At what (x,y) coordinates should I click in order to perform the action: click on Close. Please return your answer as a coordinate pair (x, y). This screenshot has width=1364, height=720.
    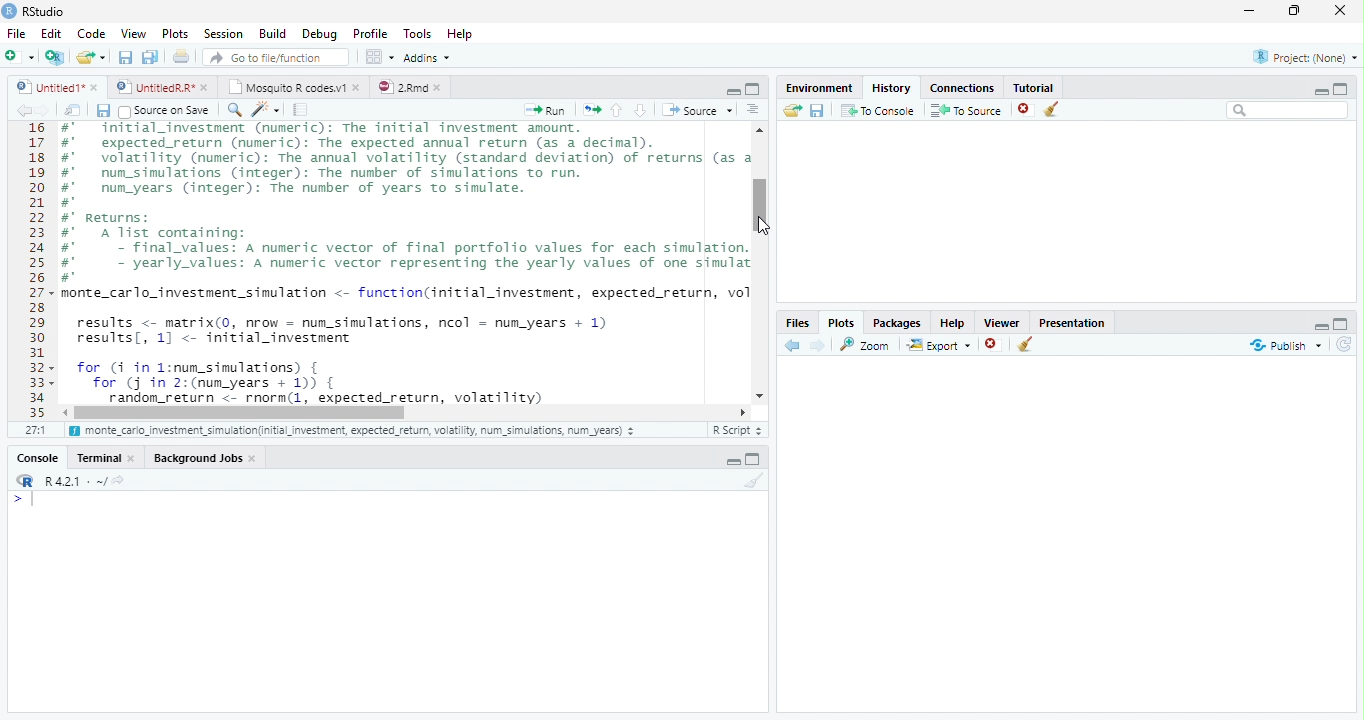
    Looking at the image, I should click on (1342, 12).